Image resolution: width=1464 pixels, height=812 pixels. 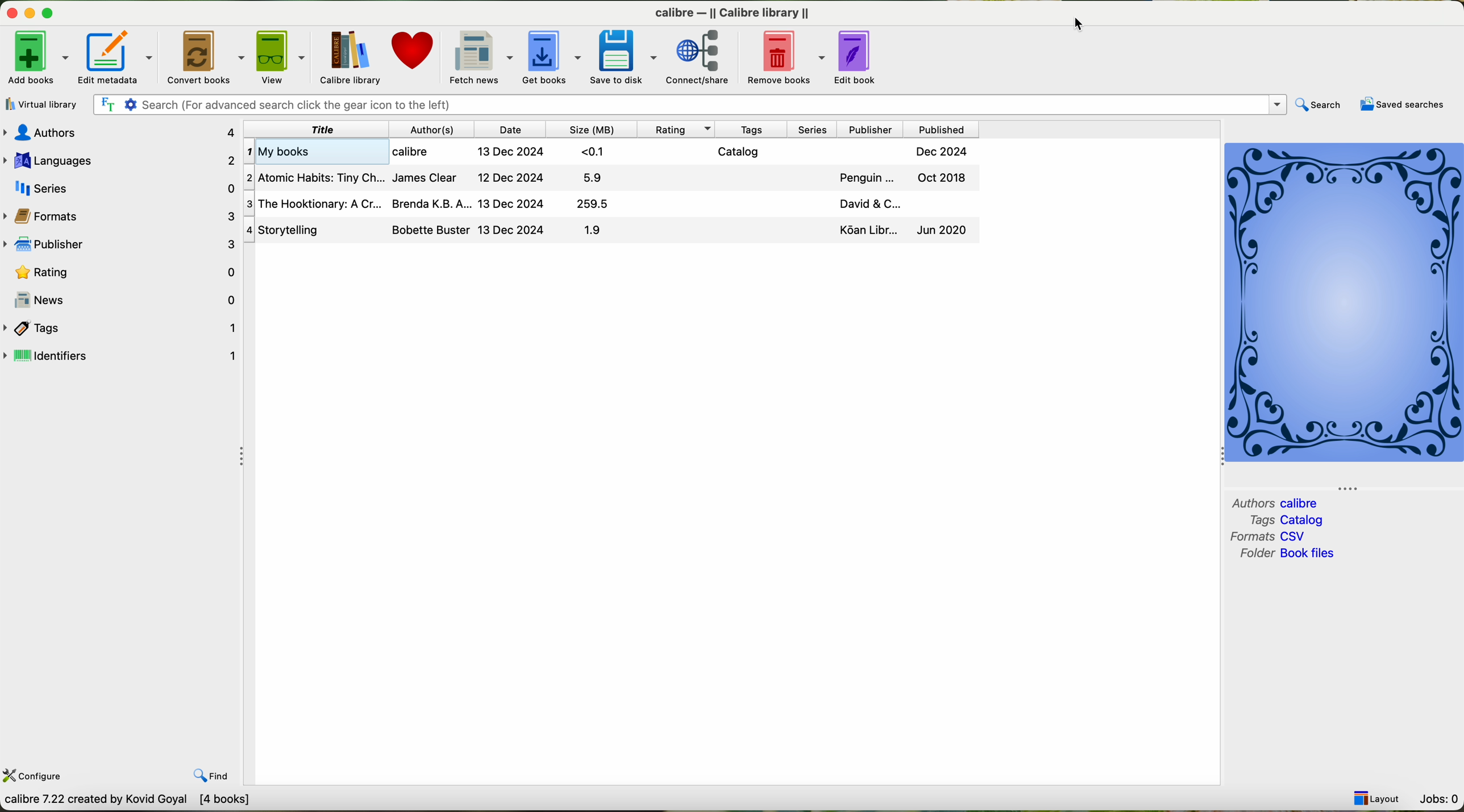 What do you see at coordinates (1374, 796) in the screenshot?
I see `layout` at bounding box center [1374, 796].